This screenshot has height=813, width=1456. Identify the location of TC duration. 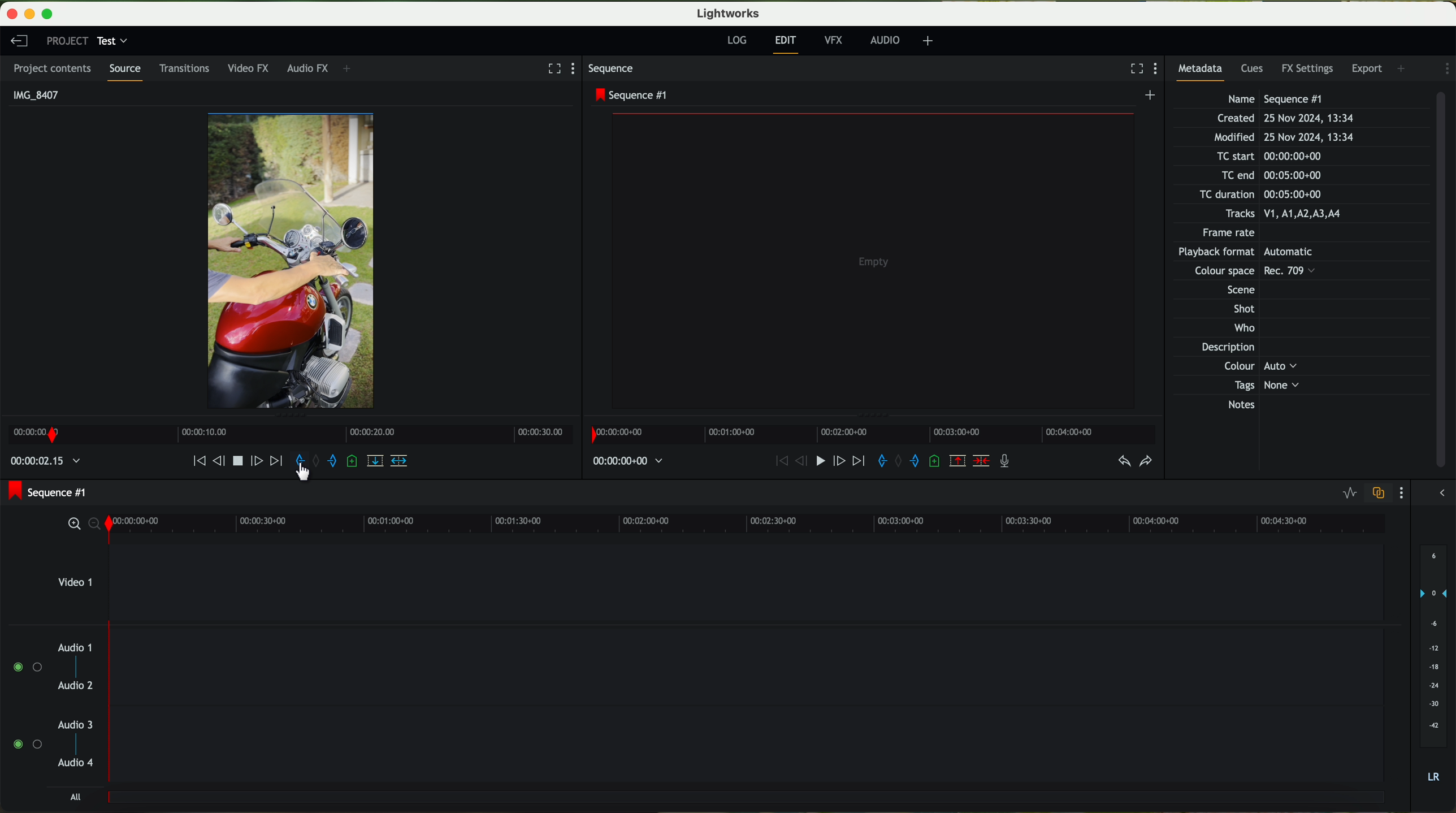
(1254, 196).